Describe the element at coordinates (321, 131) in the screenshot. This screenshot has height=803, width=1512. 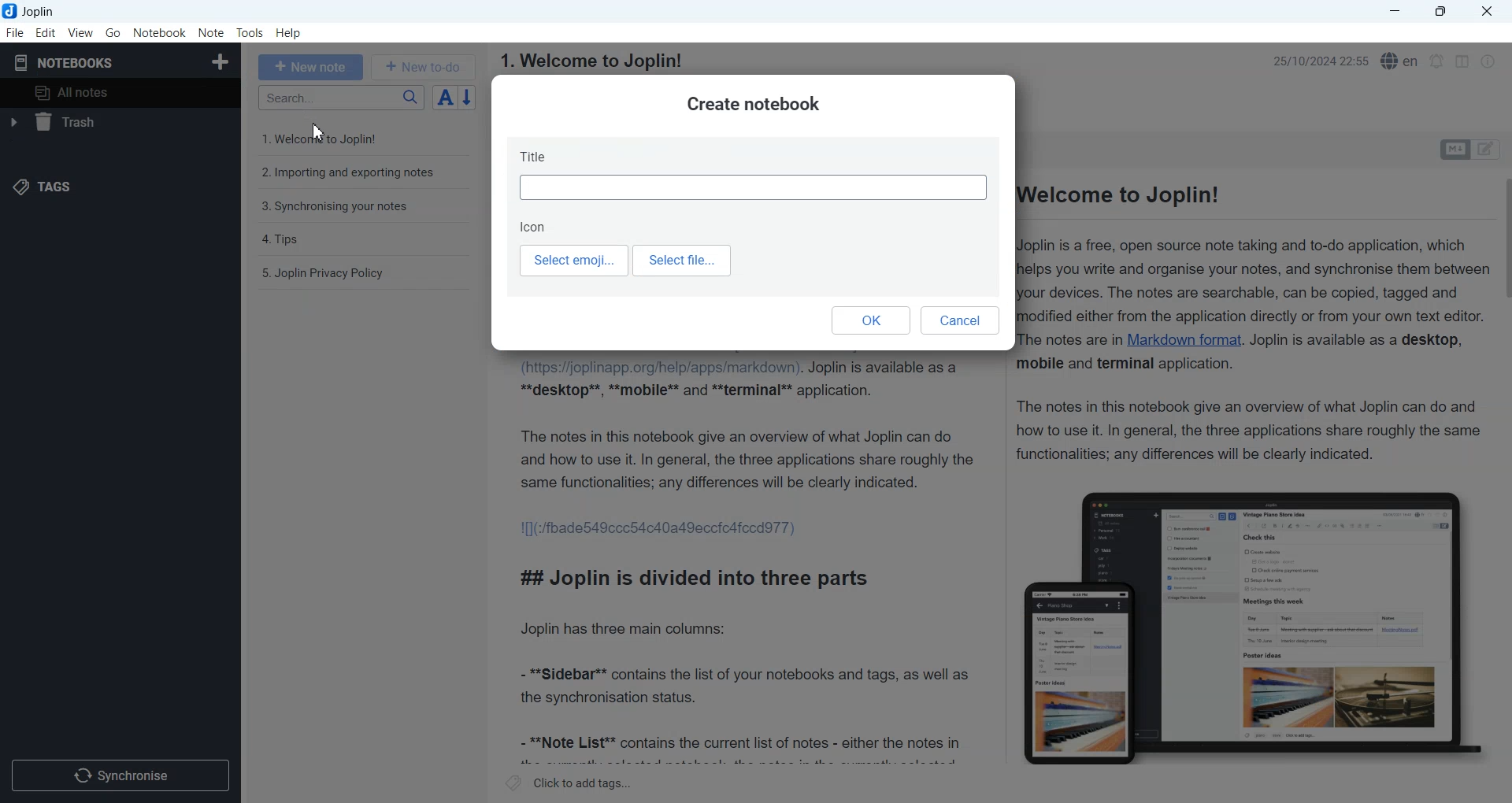
I see `Cursor` at that location.